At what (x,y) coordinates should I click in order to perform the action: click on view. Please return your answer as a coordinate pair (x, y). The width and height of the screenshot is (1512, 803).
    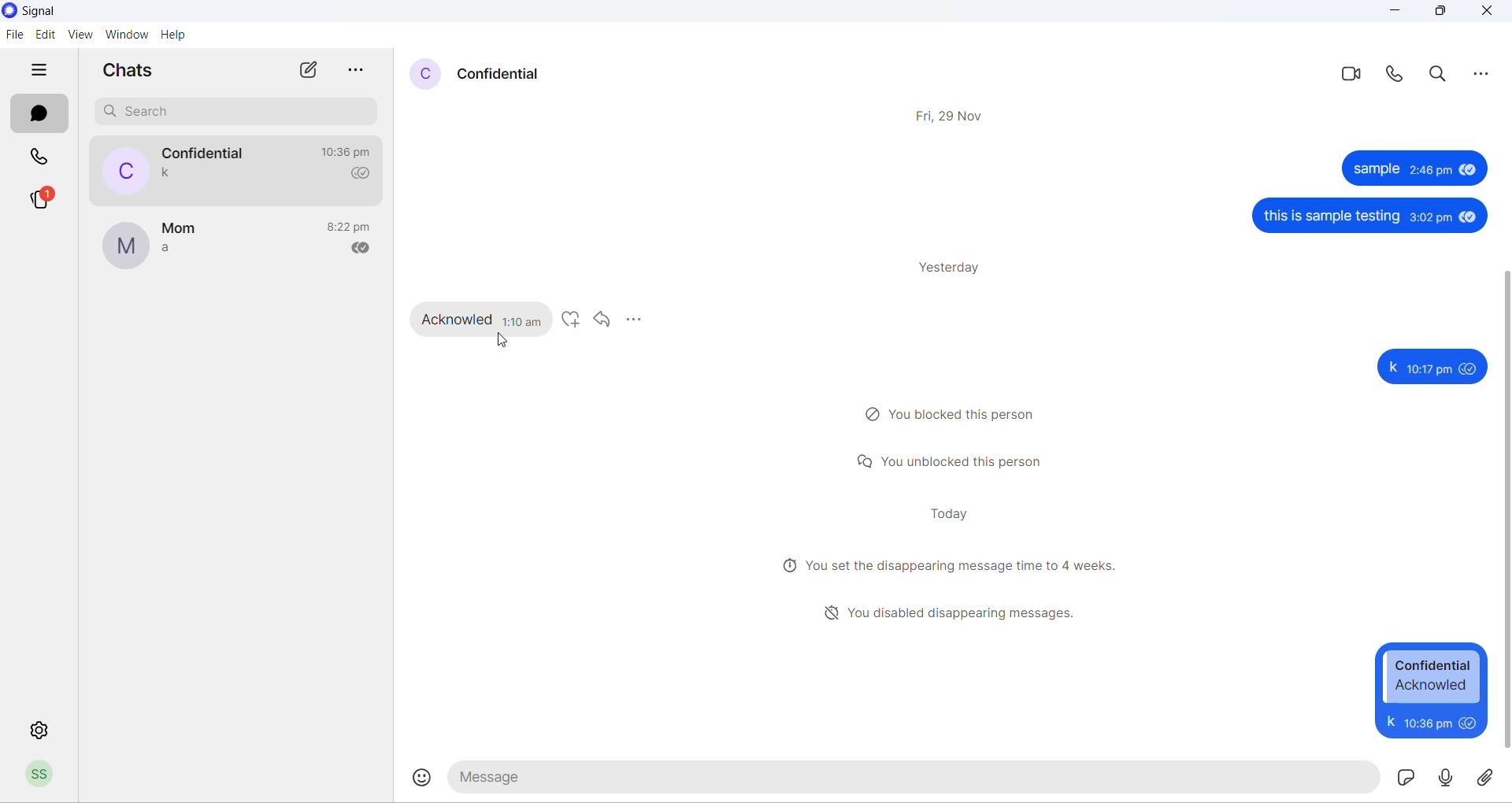
    Looking at the image, I should click on (79, 35).